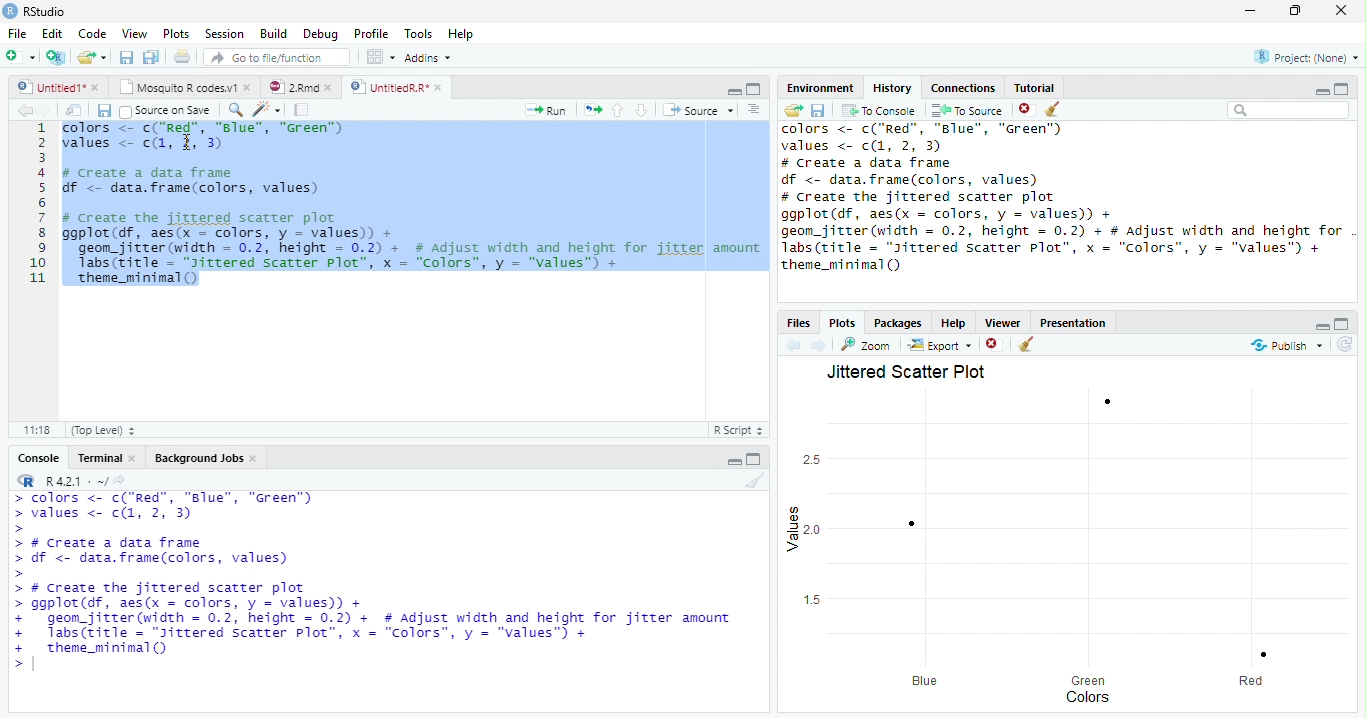 Image resolution: width=1366 pixels, height=718 pixels. I want to click on Edit, so click(52, 34).